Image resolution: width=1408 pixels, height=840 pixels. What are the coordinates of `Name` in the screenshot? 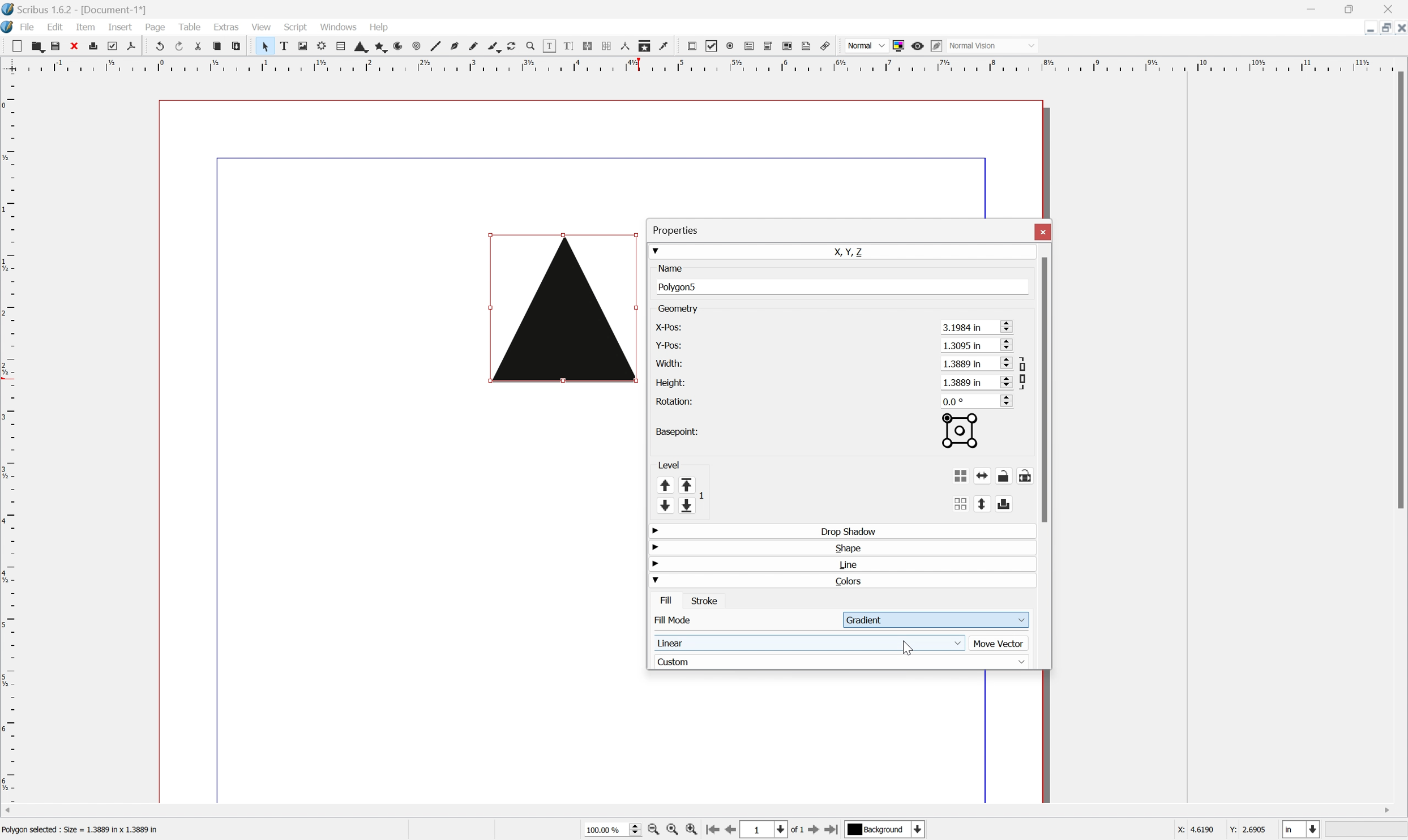 It's located at (670, 268).